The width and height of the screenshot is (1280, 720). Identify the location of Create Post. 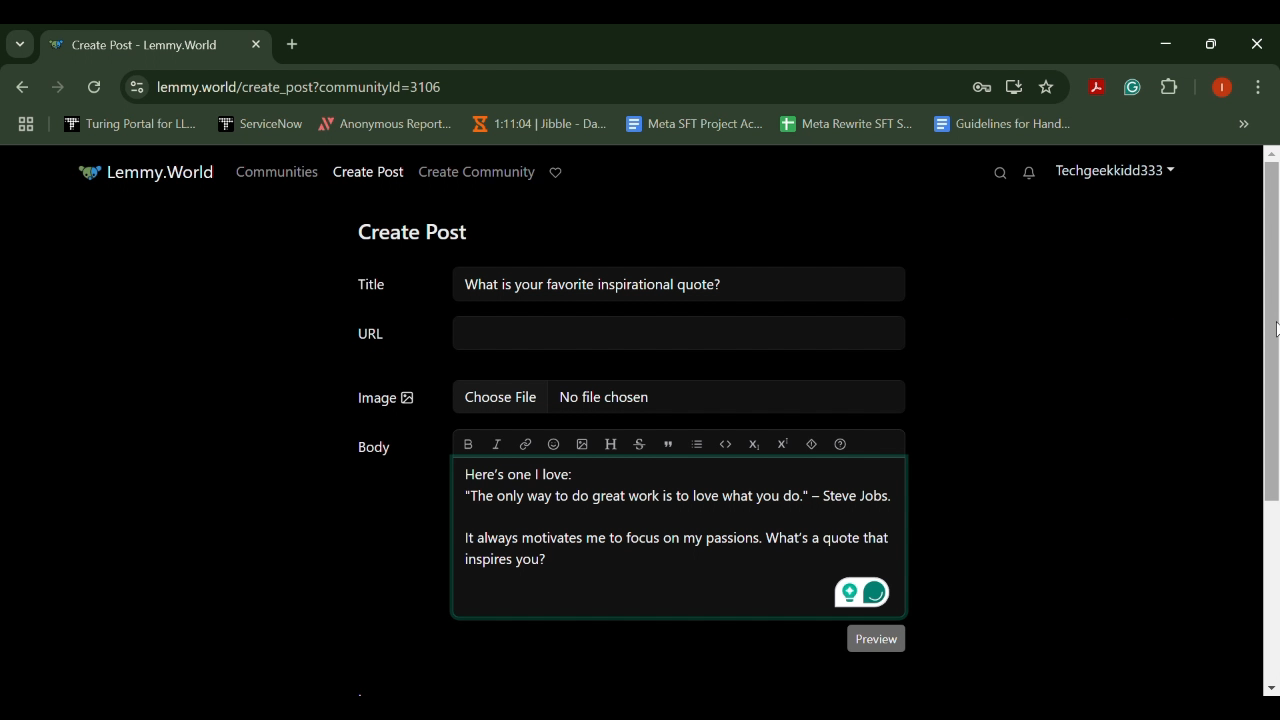
(417, 229).